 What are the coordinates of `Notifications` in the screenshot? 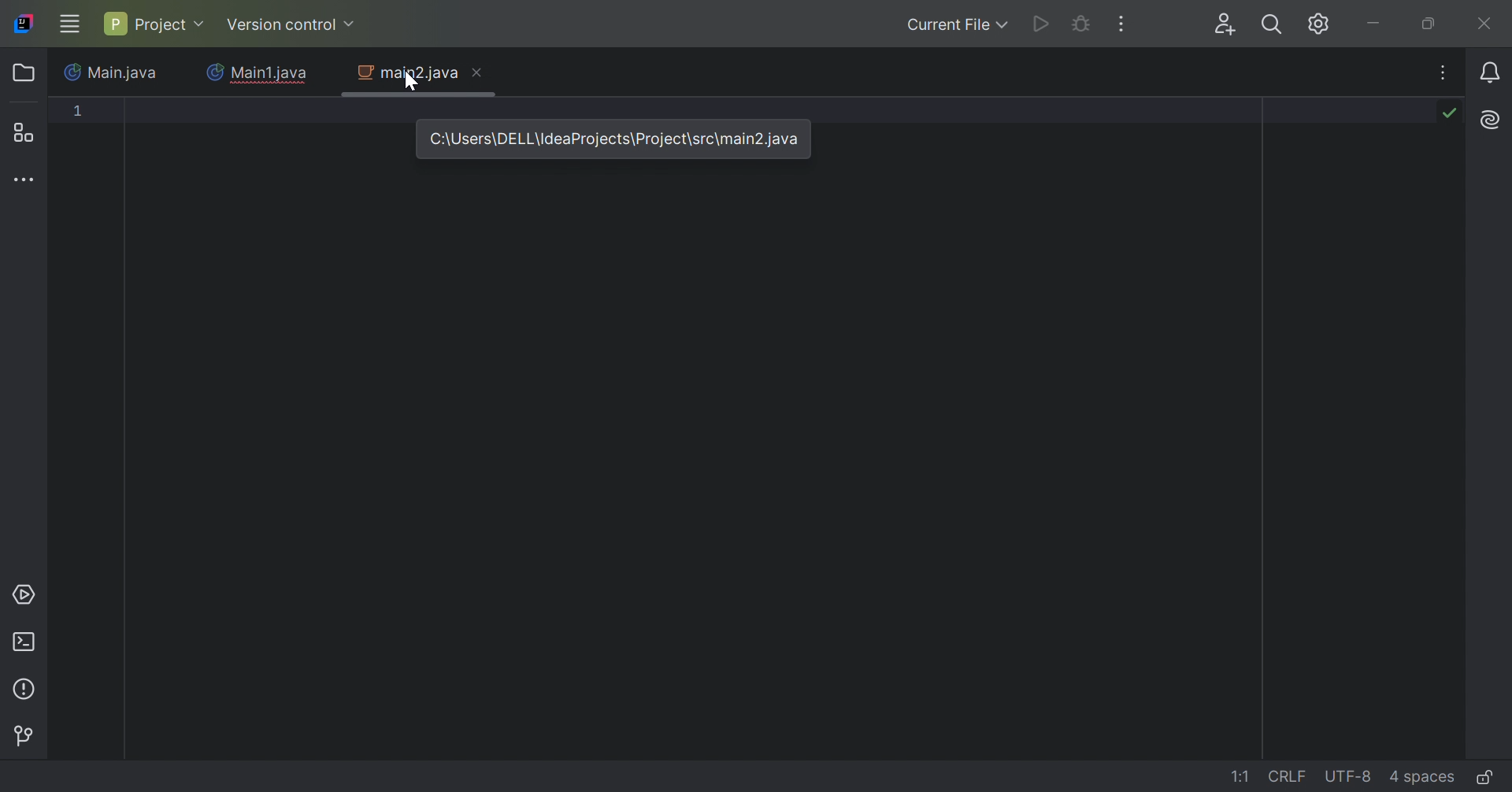 It's located at (1494, 73).